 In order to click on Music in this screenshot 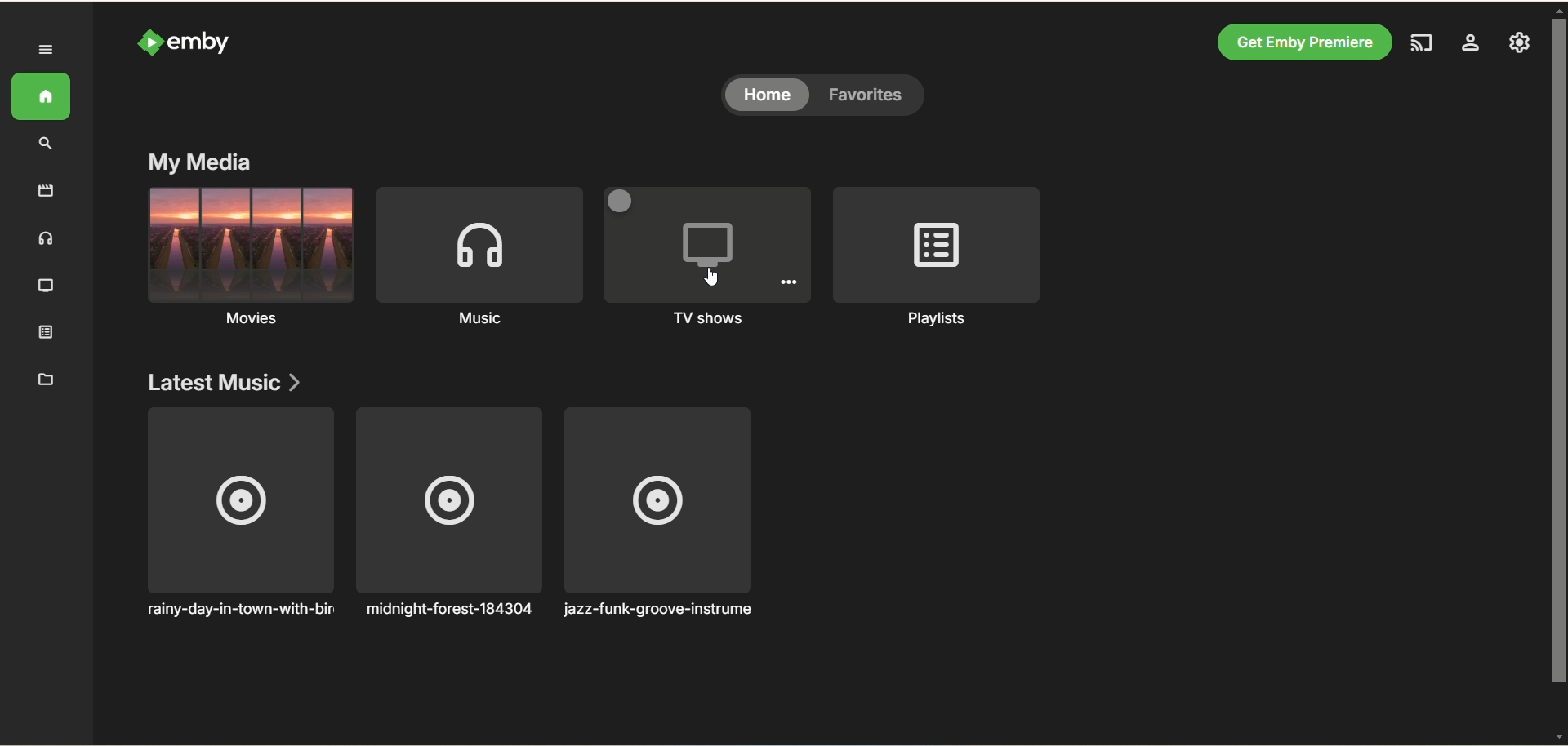, I will do `click(478, 260)`.